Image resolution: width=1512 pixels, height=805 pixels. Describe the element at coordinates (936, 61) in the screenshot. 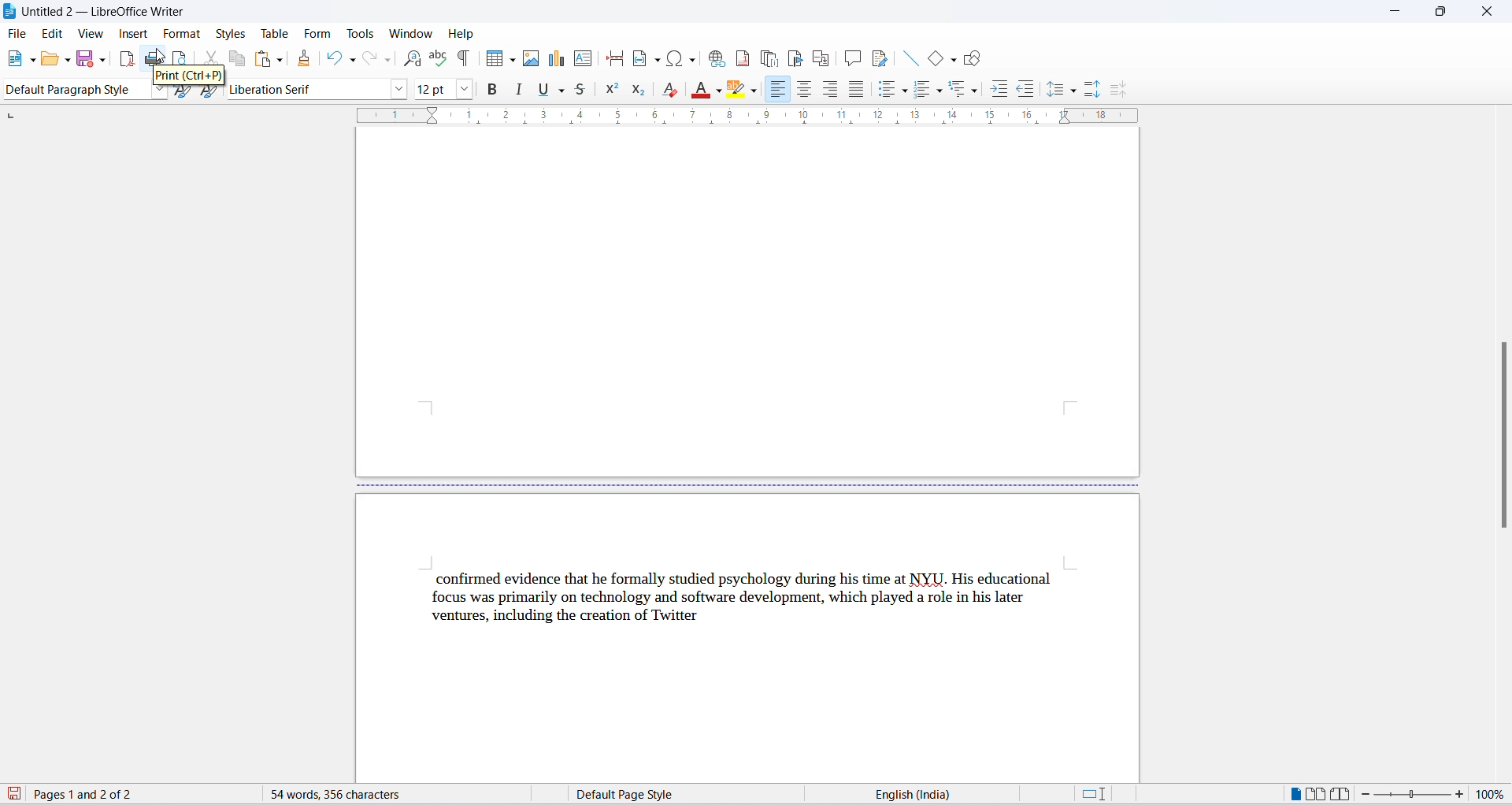

I see `basic shapes` at that location.